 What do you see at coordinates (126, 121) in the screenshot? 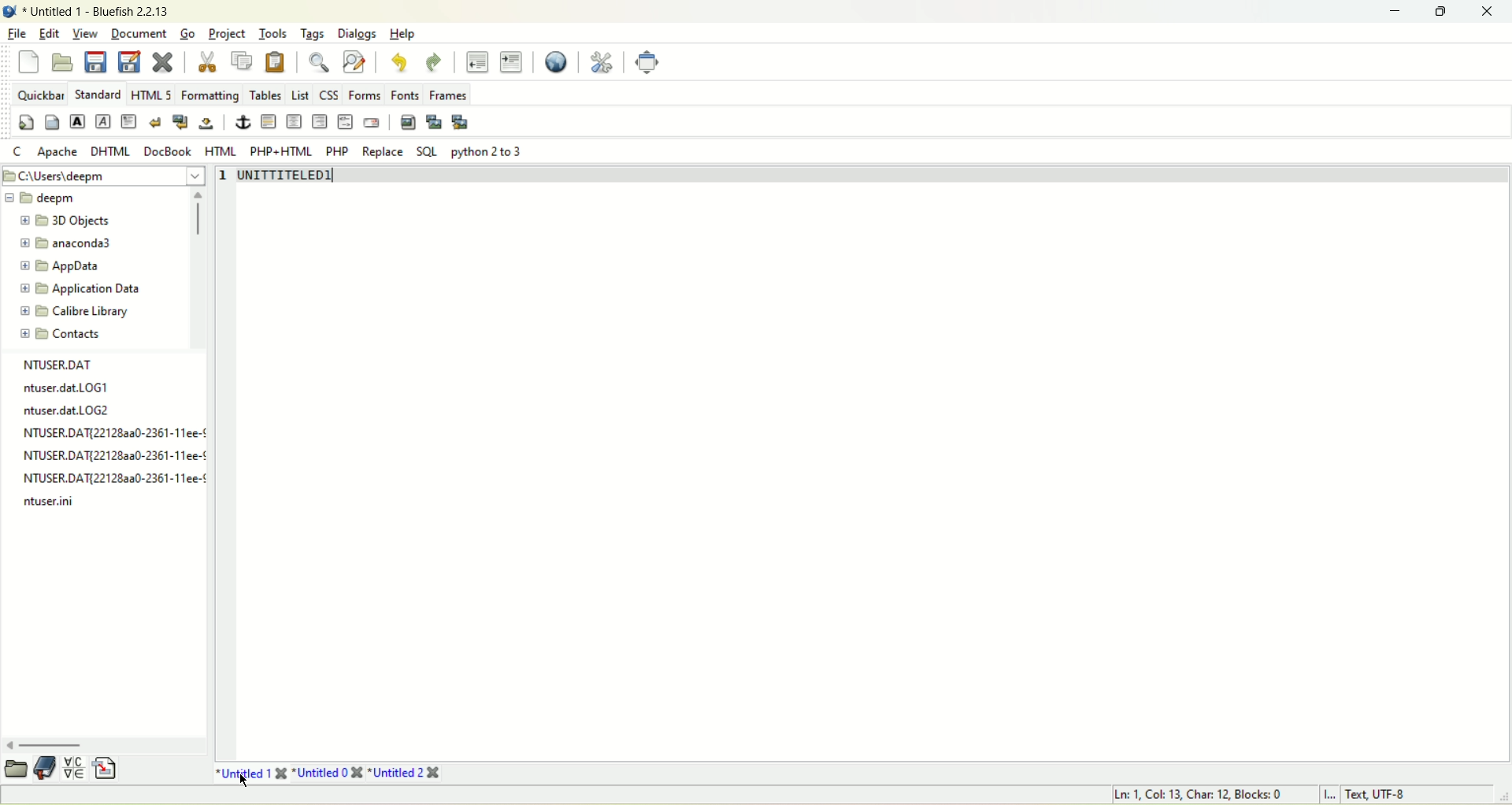
I see `paragraph ` at bounding box center [126, 121].